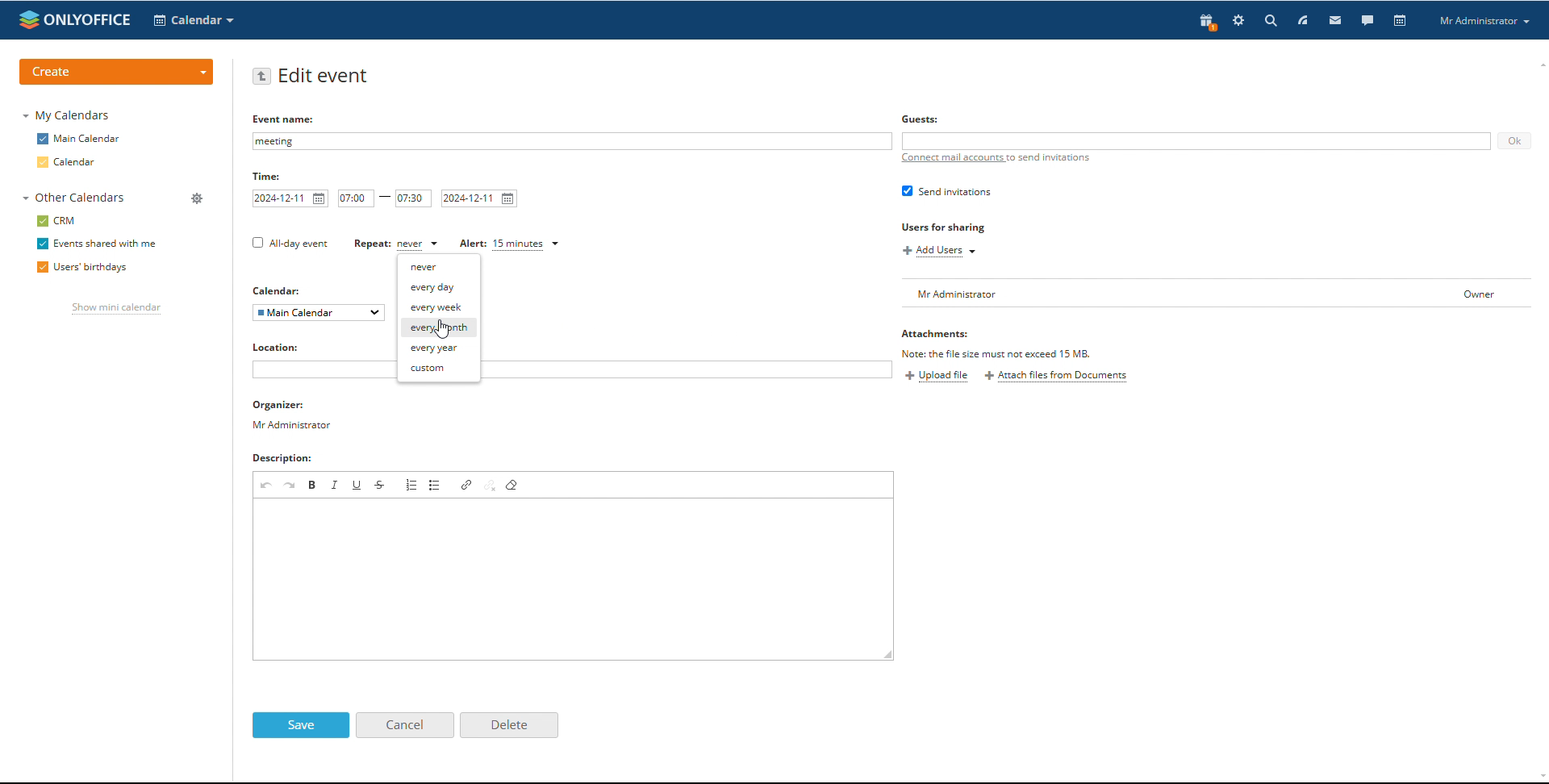 This screenshot has height=784, width=1549. I want to click on calendar, so click(67, 162).